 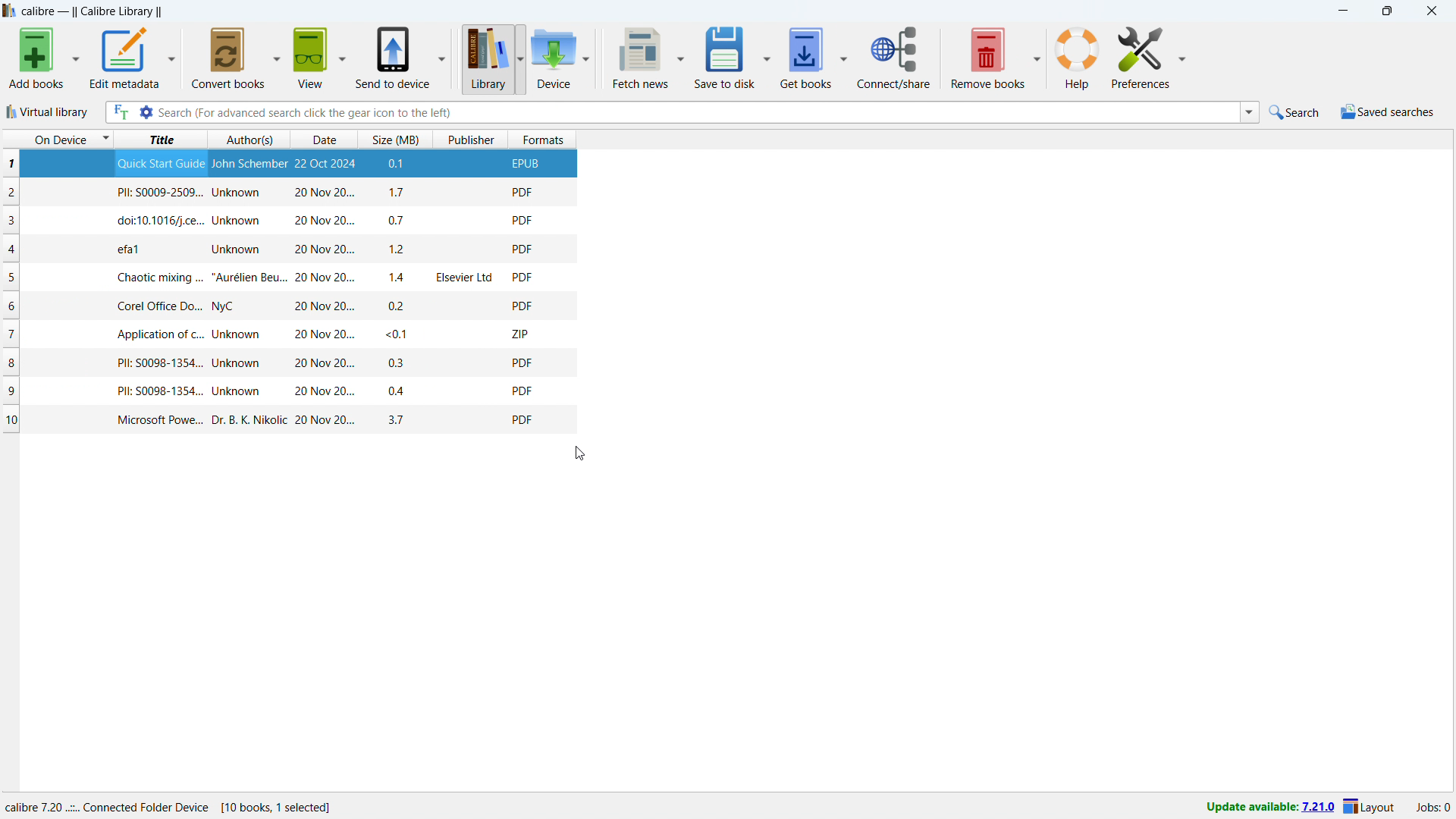 I want to click on fetch news, so click(x=637, y=57).